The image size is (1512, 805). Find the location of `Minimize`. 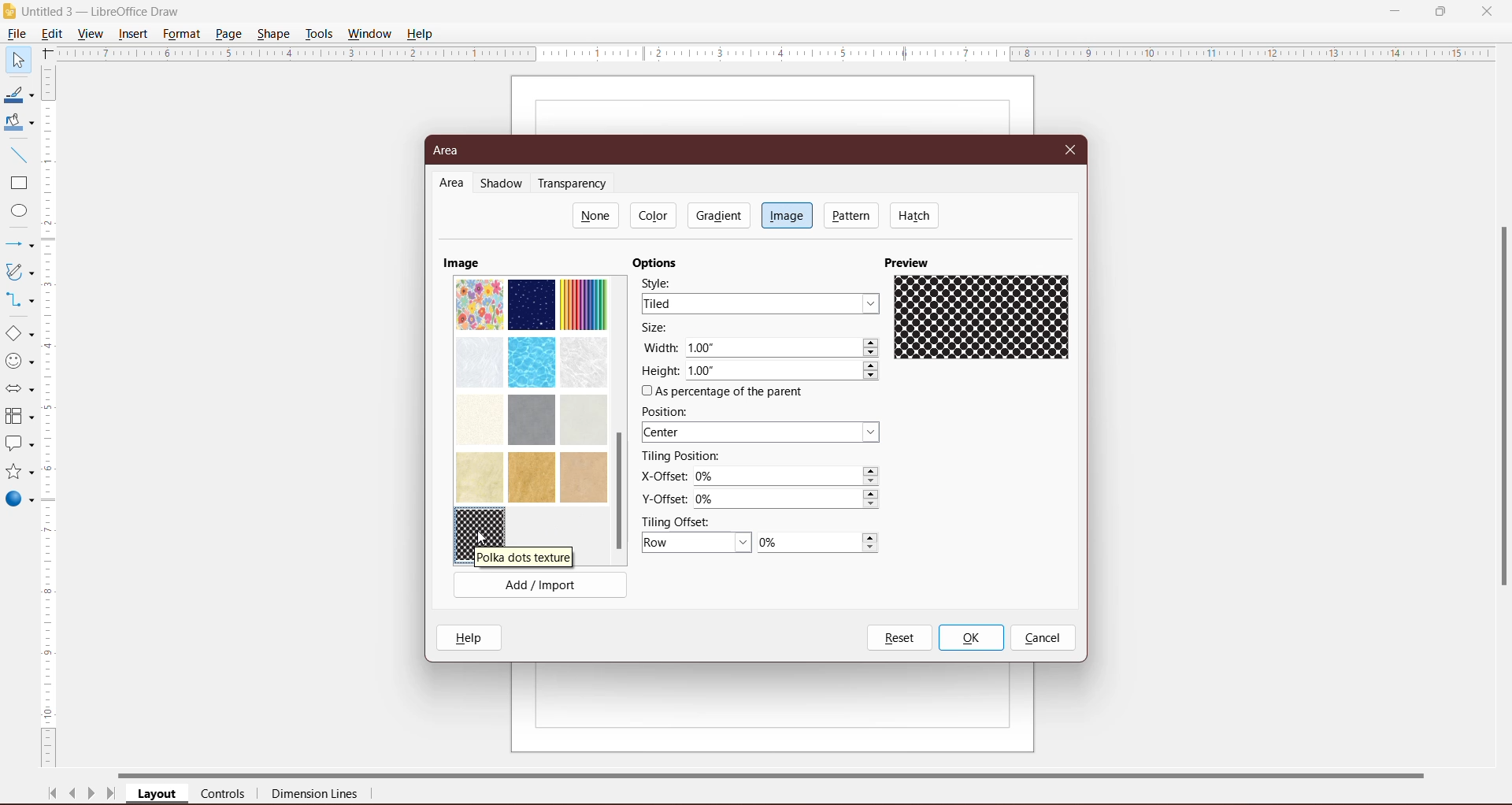

Minimize is located at coordinates (1396, 9).